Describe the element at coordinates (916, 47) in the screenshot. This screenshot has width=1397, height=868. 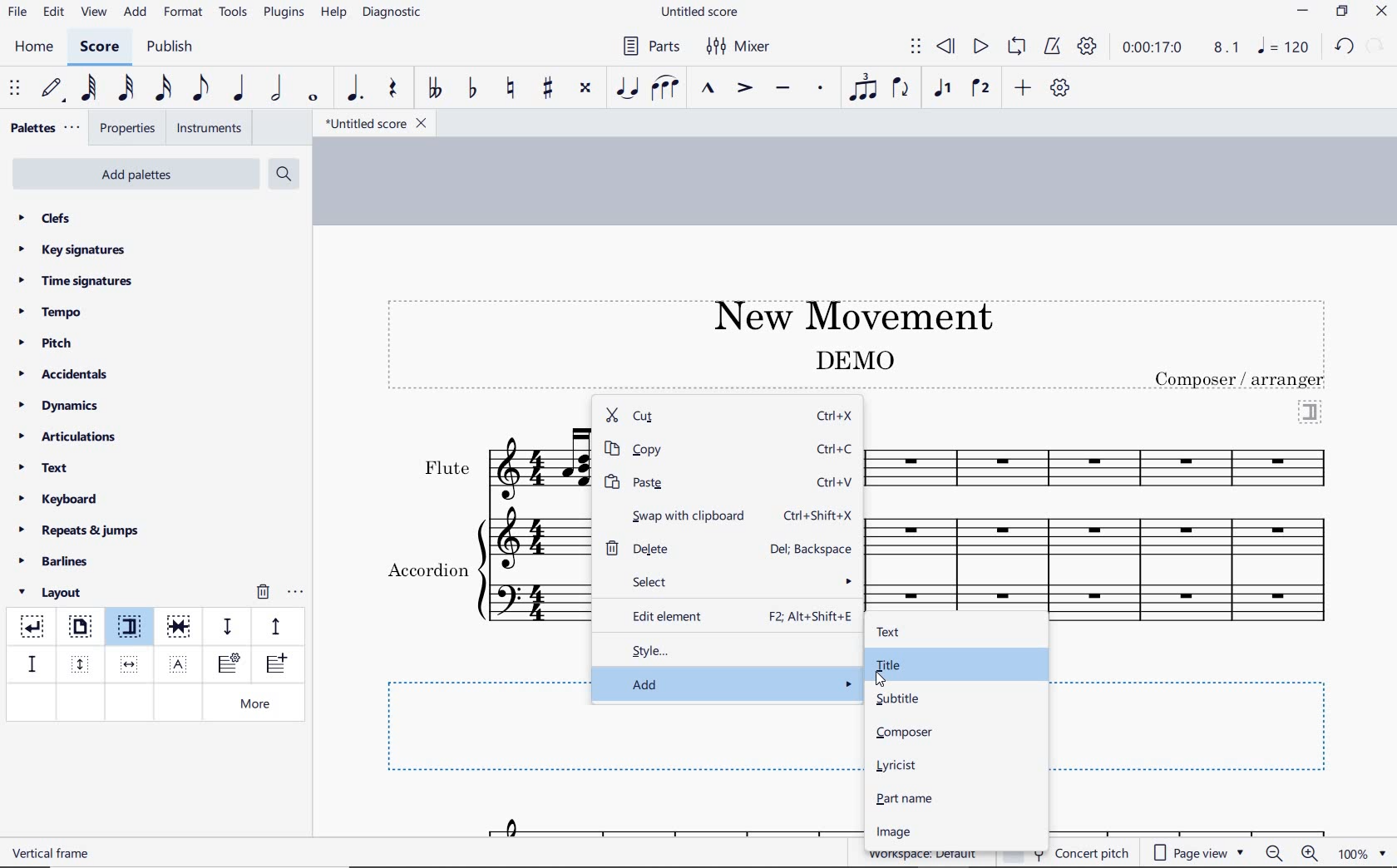
I see `select to move` at that location.